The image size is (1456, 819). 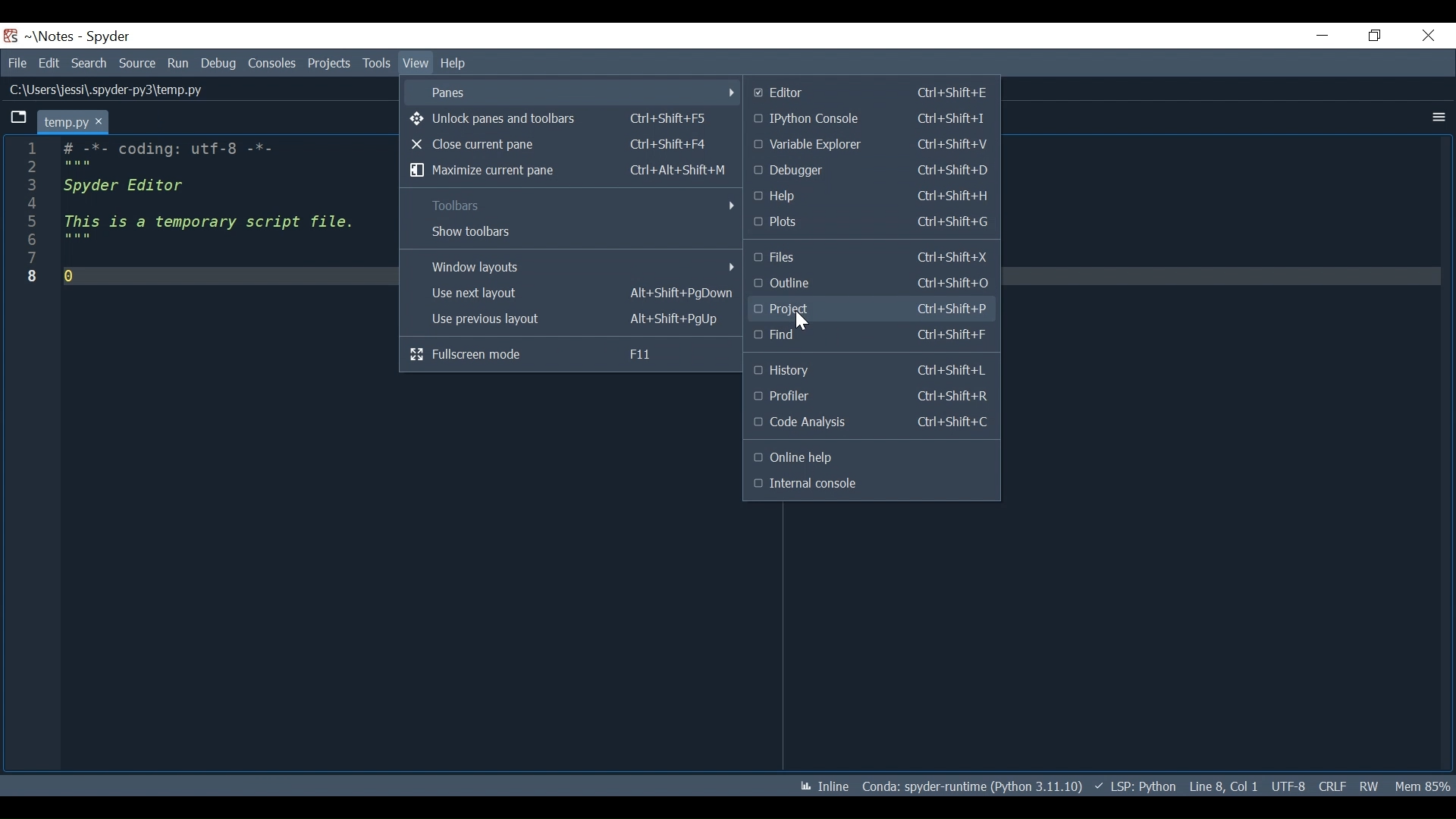 What do you see at coordinates (868, 483) in the screenshot?
I see `Internal console` at bounding box center [868, 483].